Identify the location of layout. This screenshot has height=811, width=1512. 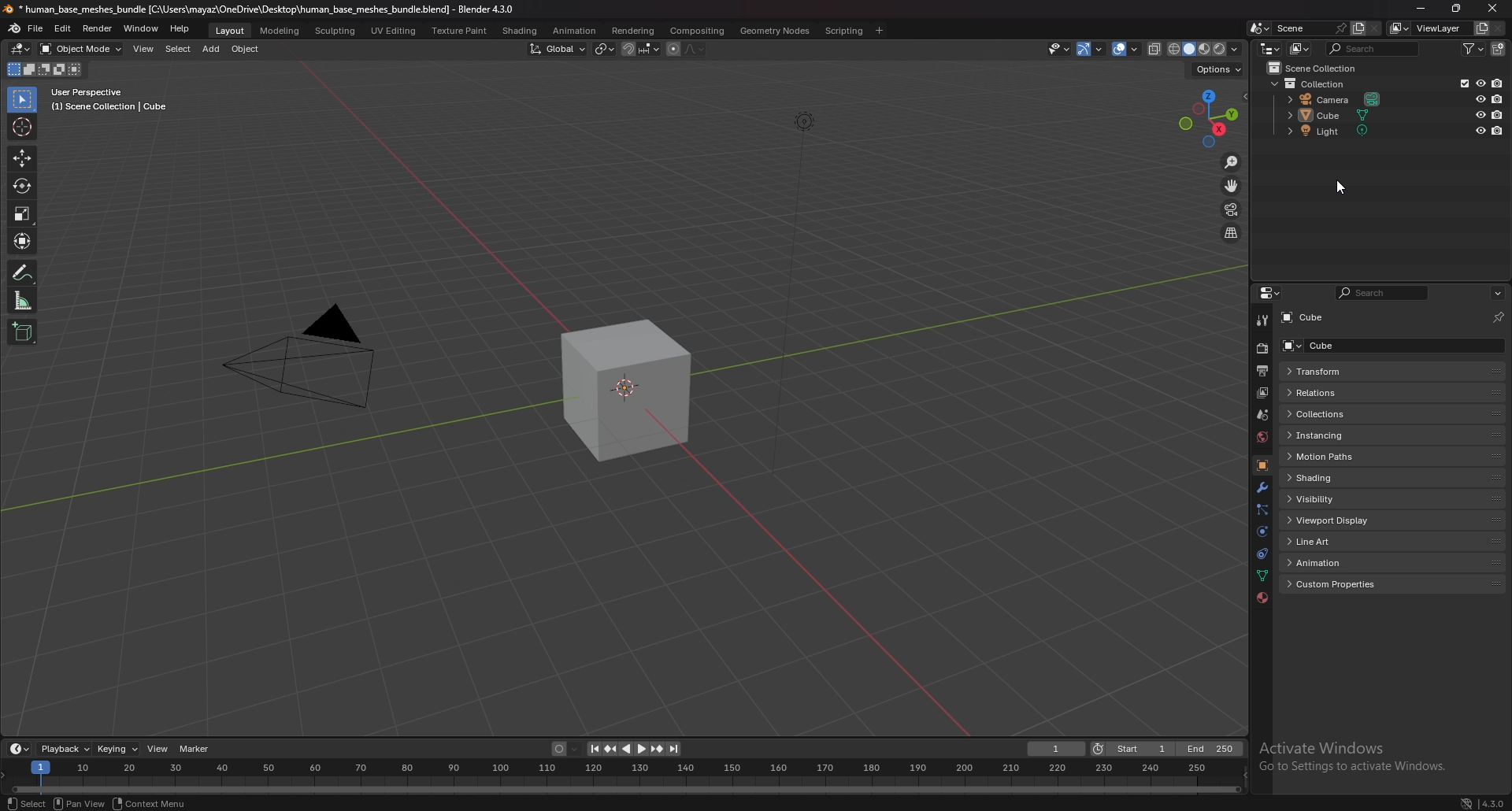
(232, 31).